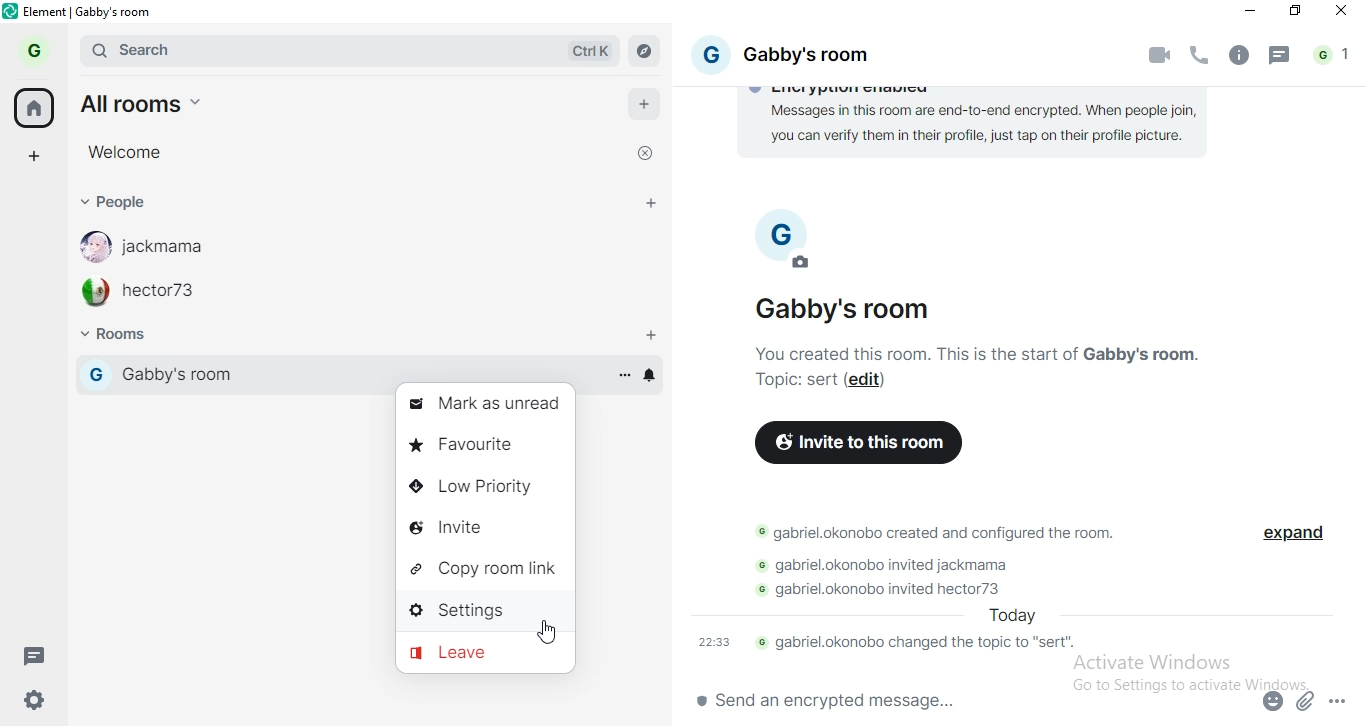 The image size is (1366, 726). Describe the element at coordinates (1290, 536) in the screenshot. I see `expand` at that location.